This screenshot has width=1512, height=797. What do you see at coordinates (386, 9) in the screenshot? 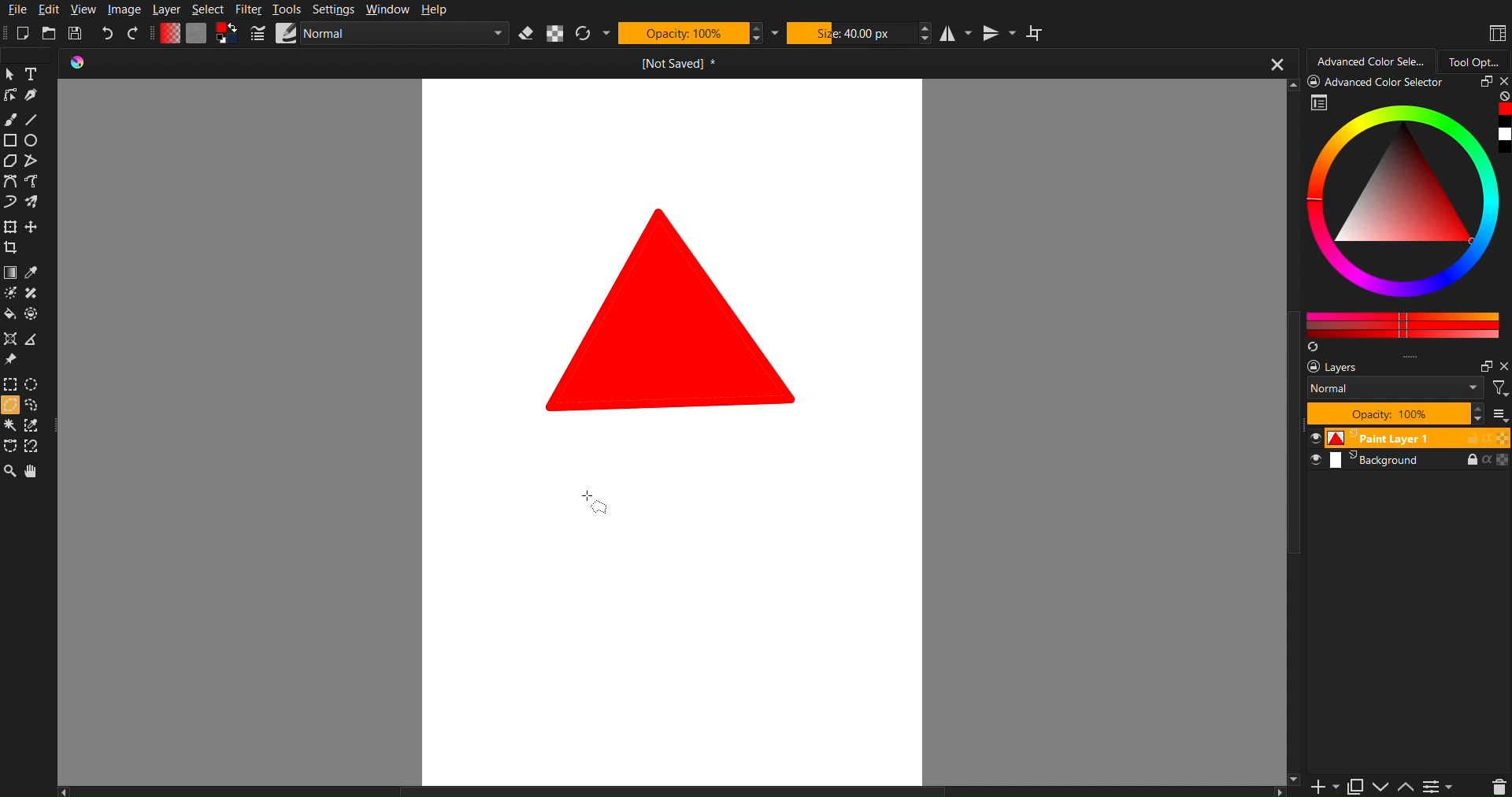
I see `Window` at bounding box center [386, 9].